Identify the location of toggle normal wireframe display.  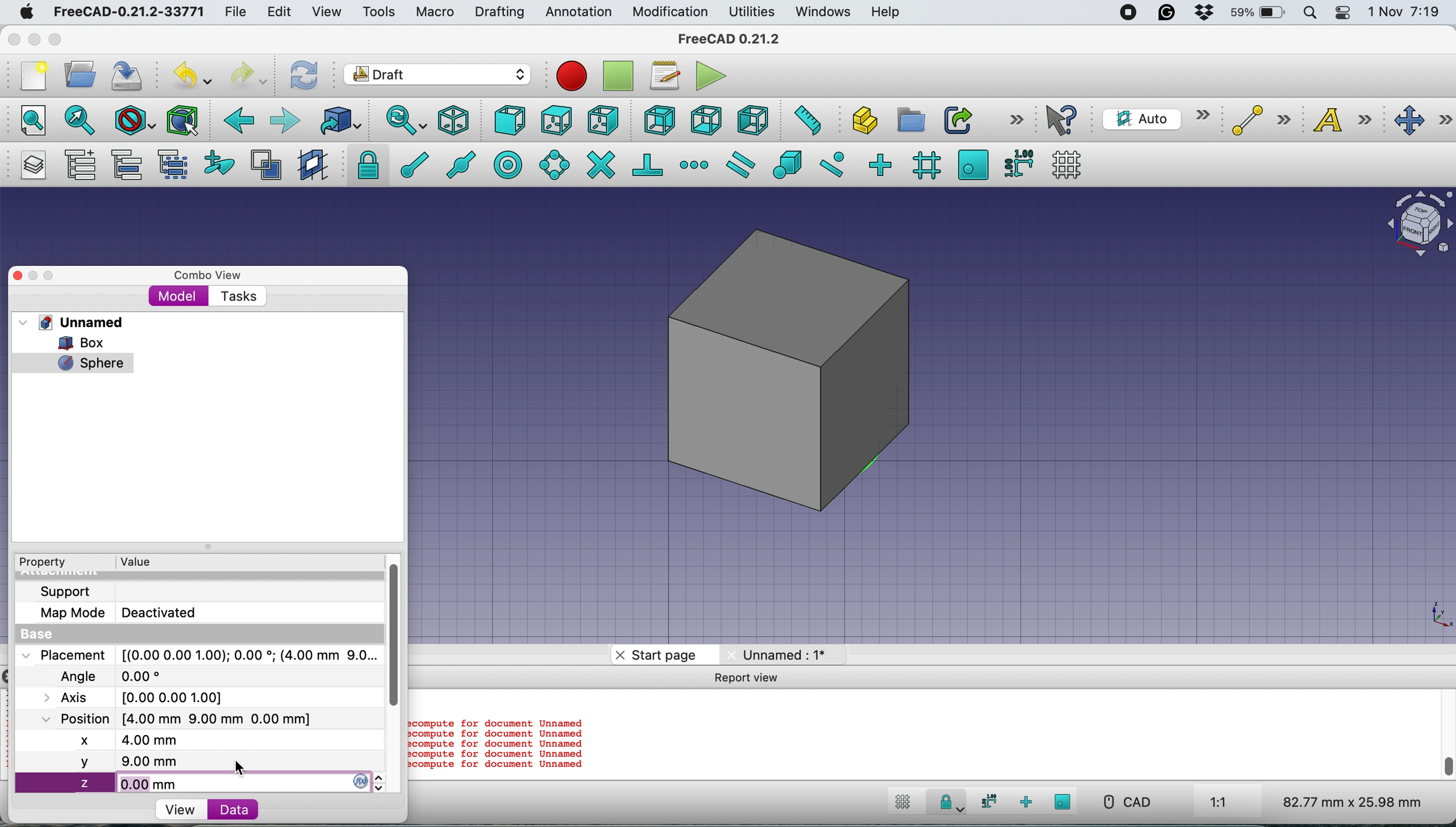
(268, 165).